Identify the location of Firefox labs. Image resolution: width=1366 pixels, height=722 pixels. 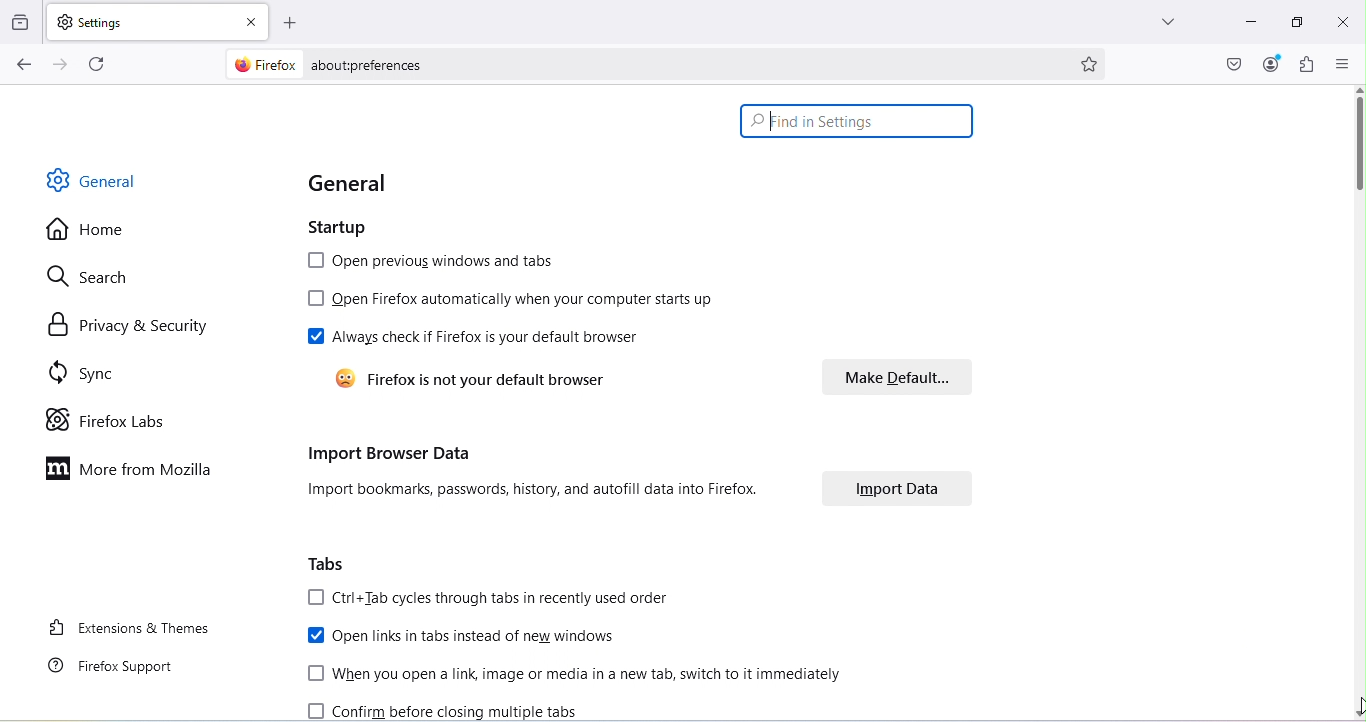
(94, 418).